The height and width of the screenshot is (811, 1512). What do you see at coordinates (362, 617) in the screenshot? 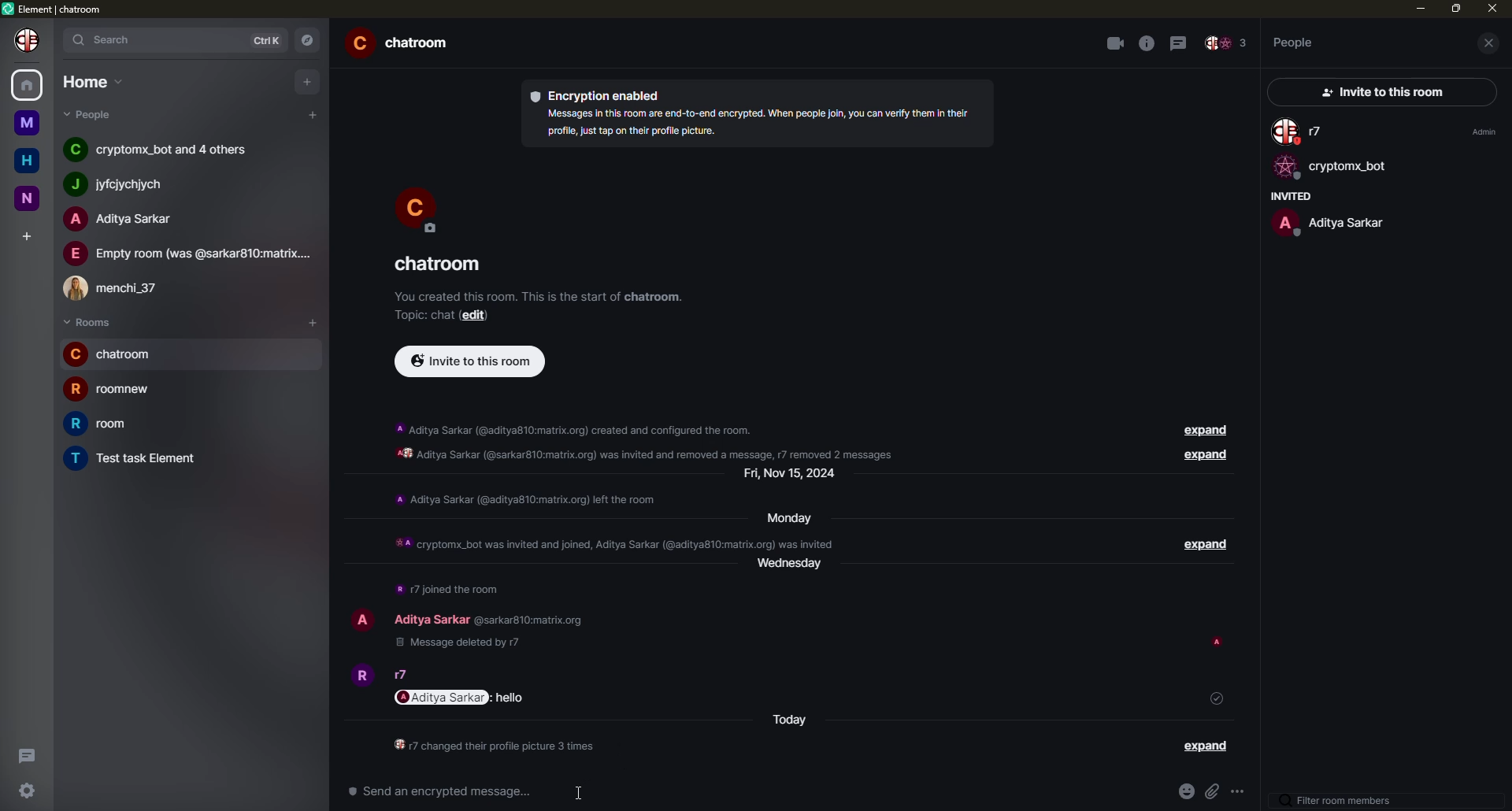
I see `profile` at bounding box center [362, 617].